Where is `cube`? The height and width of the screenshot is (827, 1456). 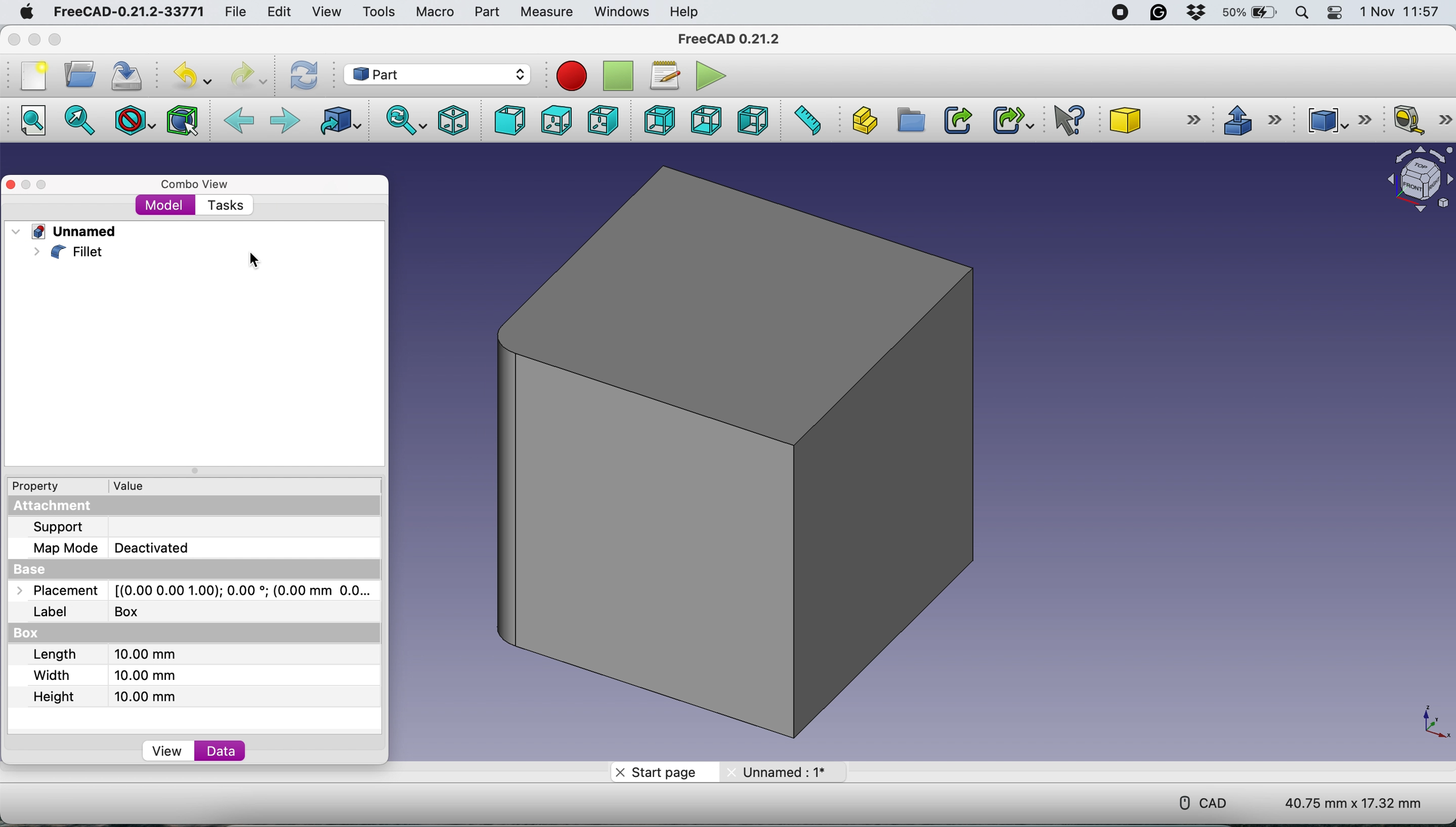 cube is located at coordinates (1154, 119).